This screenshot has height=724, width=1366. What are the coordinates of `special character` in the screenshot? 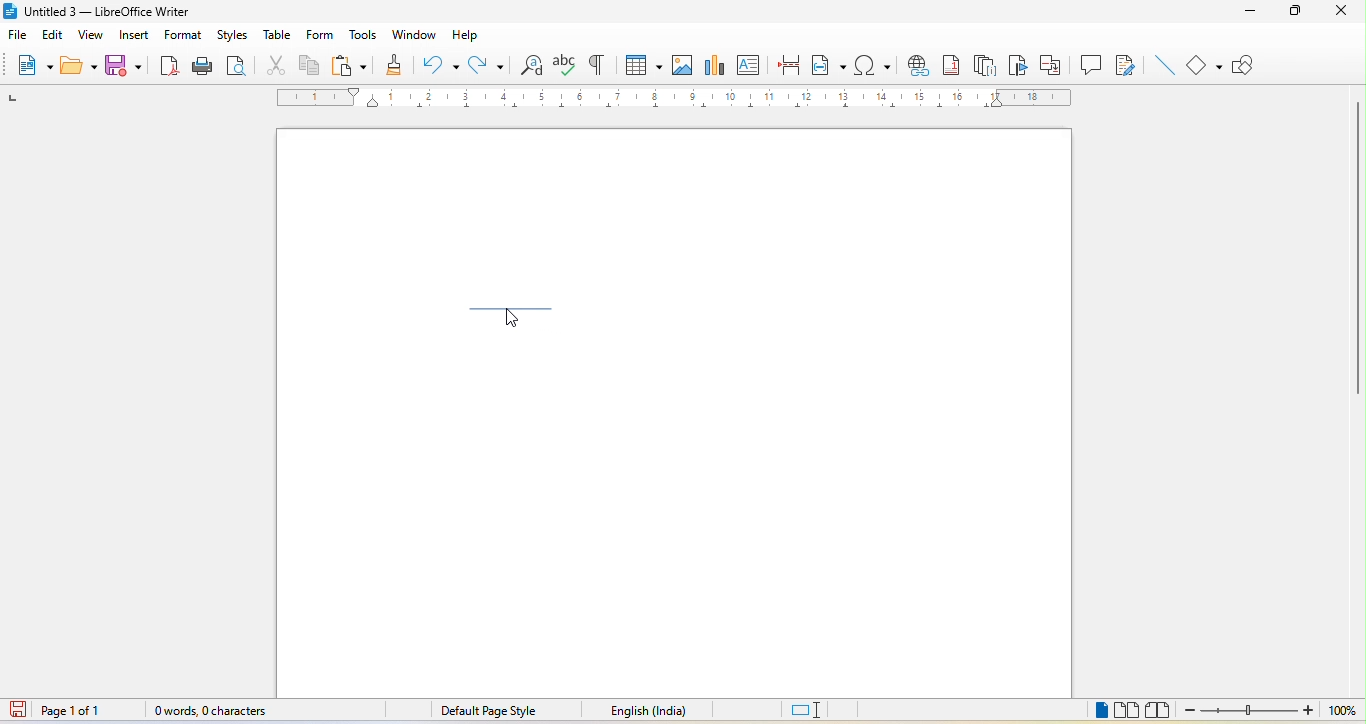 It's located at (873, 67).